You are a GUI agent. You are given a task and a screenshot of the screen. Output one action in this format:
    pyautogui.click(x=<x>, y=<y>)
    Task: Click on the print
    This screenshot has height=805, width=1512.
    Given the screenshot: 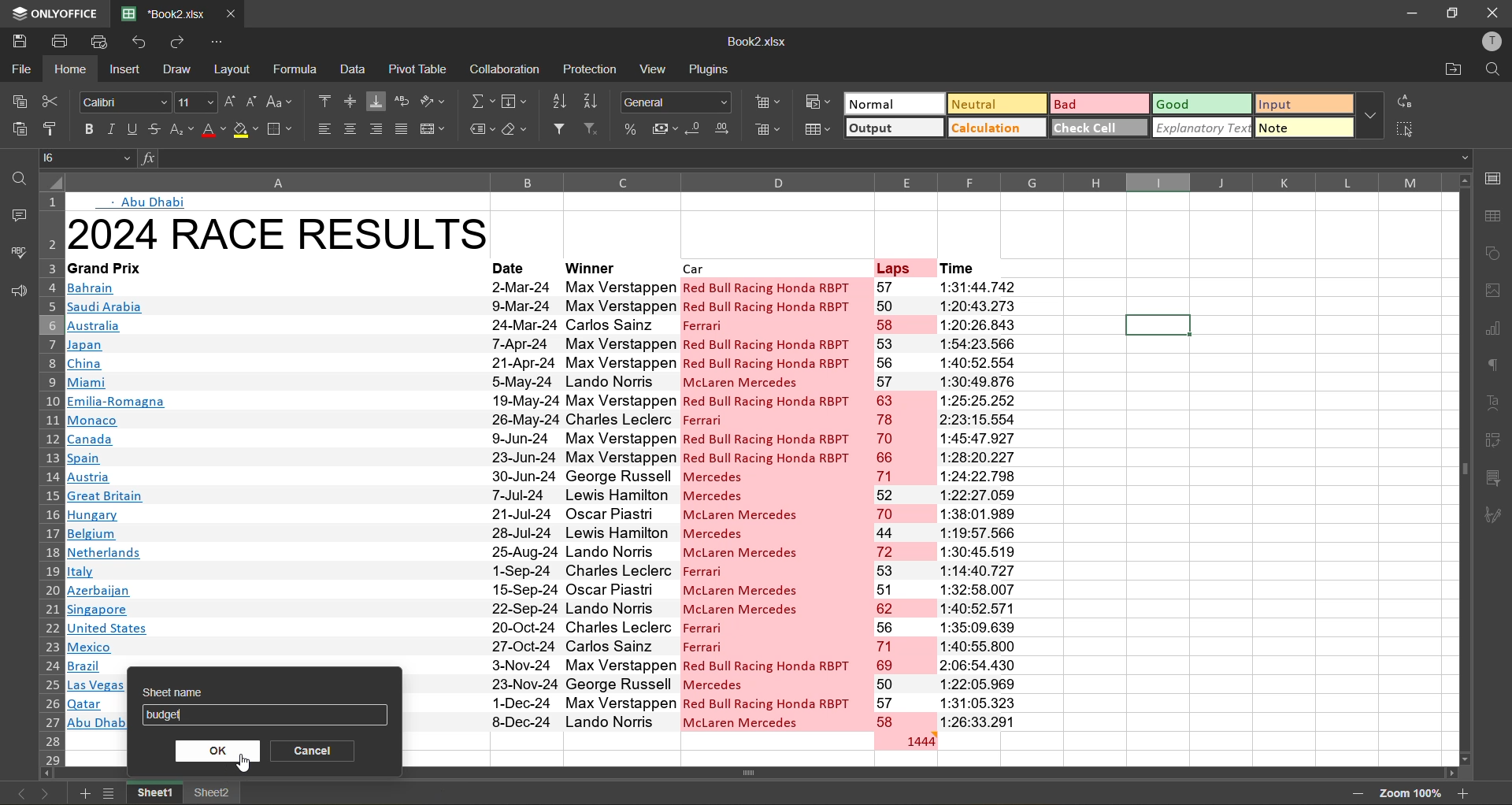 What is the action you would take?
    pyautogui.click(x=58, y=42)
    